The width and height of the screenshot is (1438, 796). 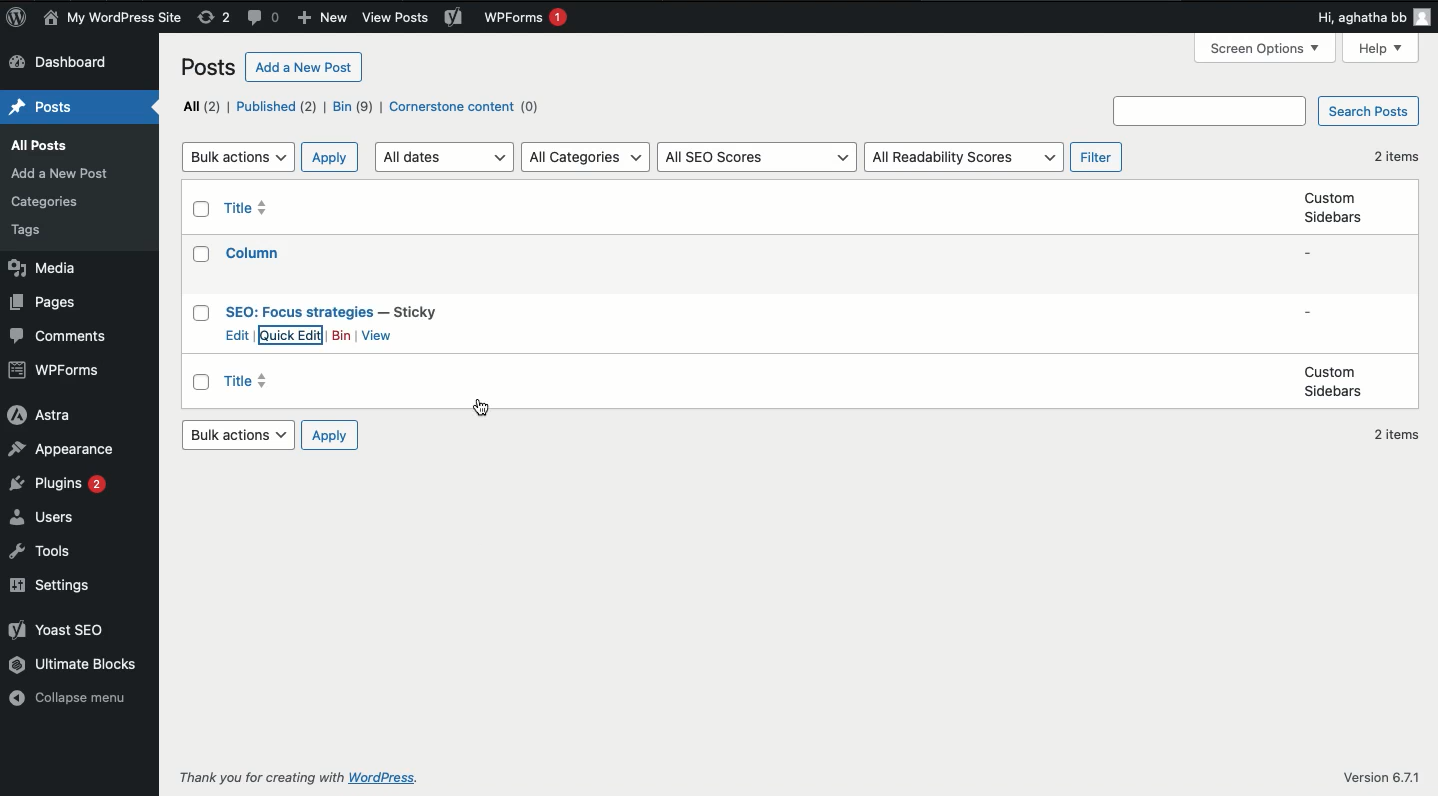 What do you see at coordinates (238, 157) in the screenshot?
I see `Bulk actions` at bounding box center [238, 157].